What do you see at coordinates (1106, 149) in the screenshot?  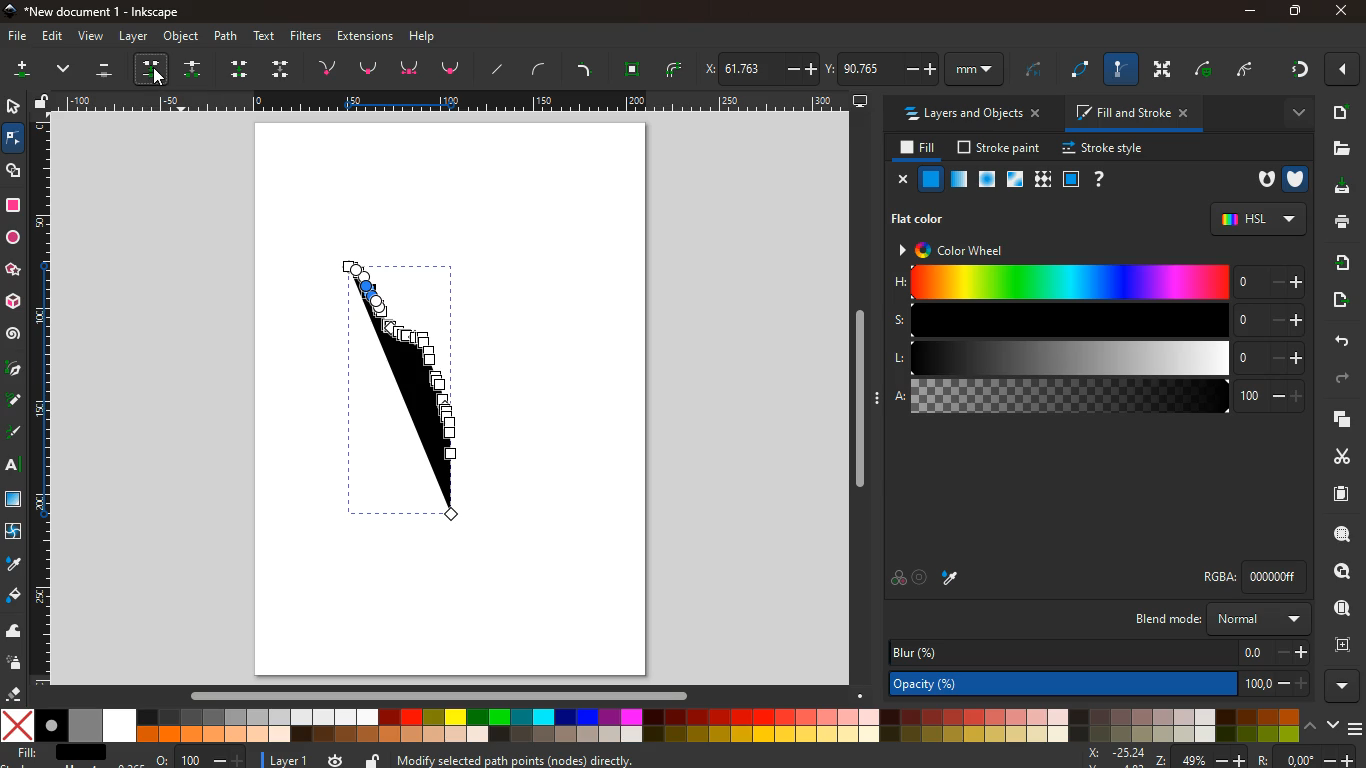 I see `stroke style` at bounding box center [1106, 149].